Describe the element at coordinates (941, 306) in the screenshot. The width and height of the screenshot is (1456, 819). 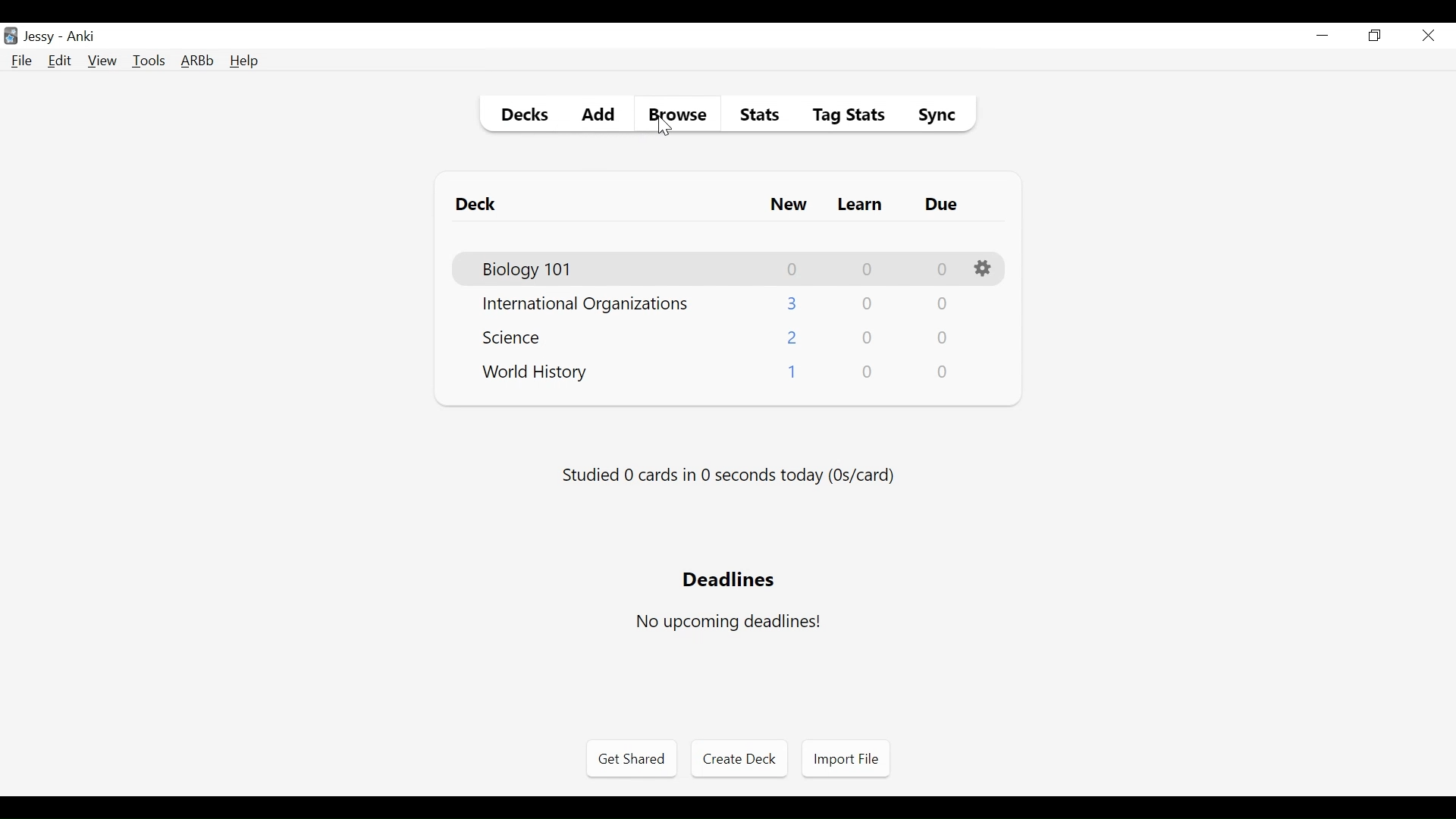
I see `Due Card Count` at that location.